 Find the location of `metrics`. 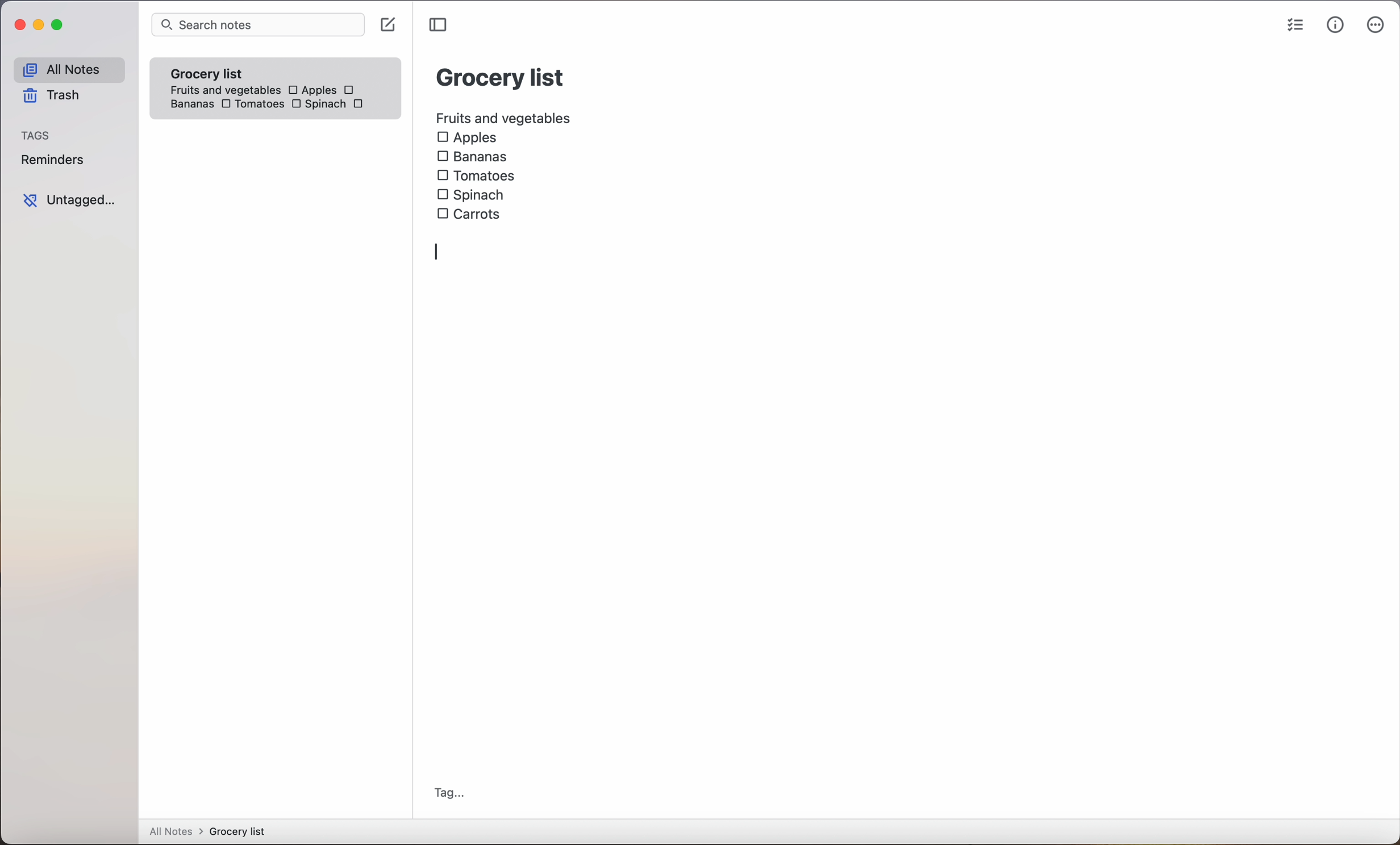

metrics is located at coordinates (1335, 26).